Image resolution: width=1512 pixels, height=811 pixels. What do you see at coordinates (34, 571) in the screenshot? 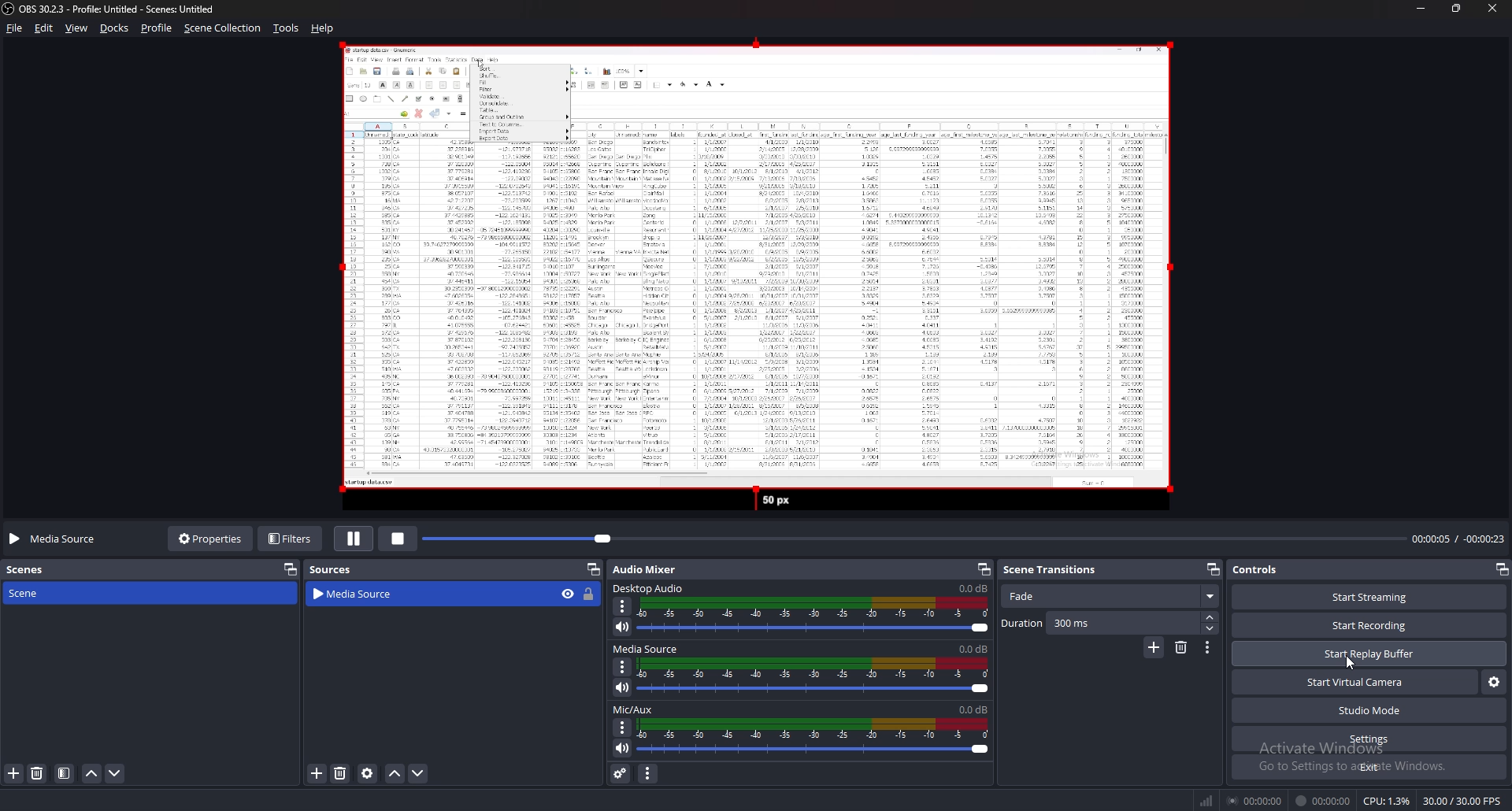
I see `scenes` at bounding box center [34, 571].